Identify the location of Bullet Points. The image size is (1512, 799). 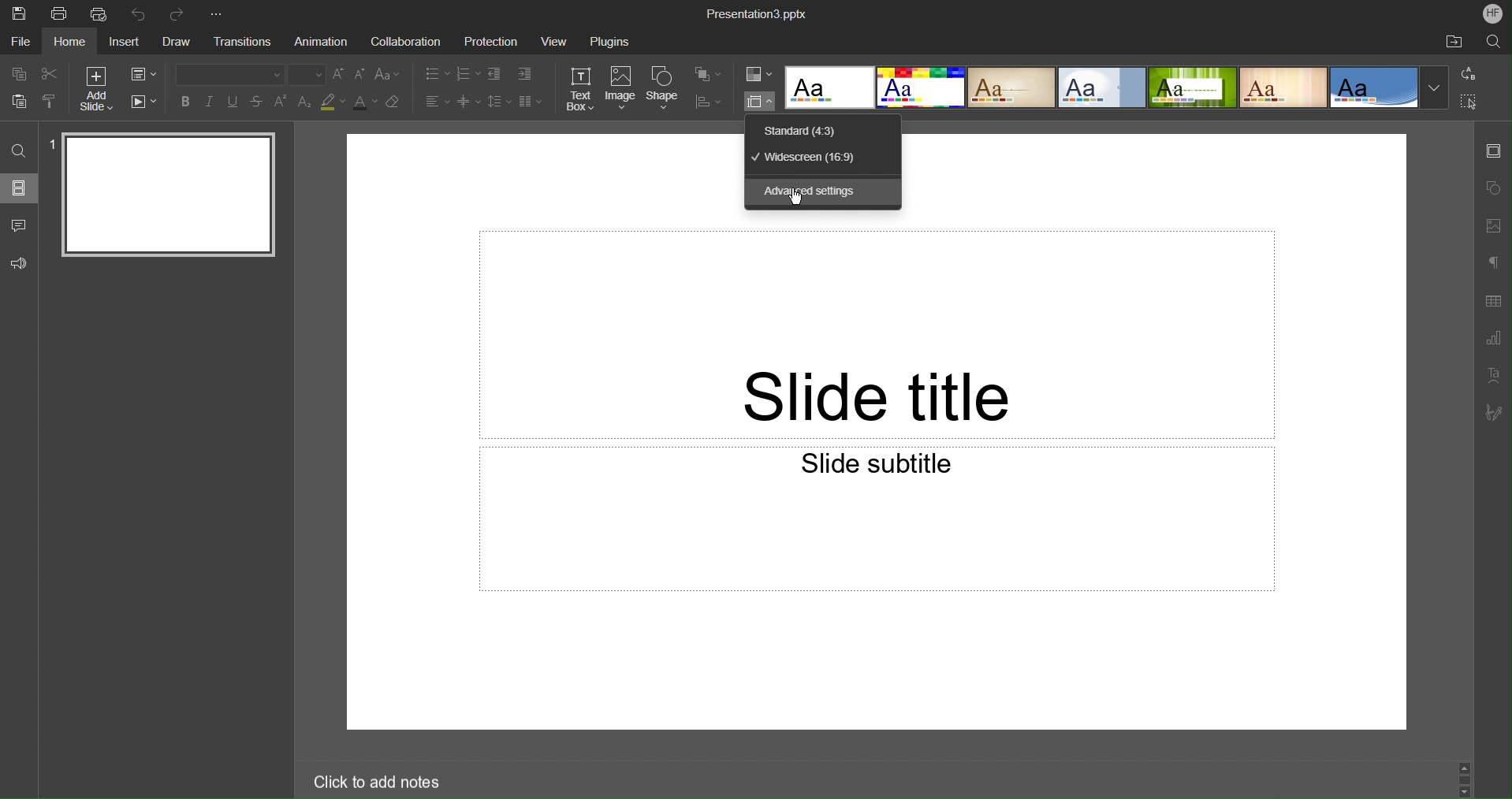
(435, 73).